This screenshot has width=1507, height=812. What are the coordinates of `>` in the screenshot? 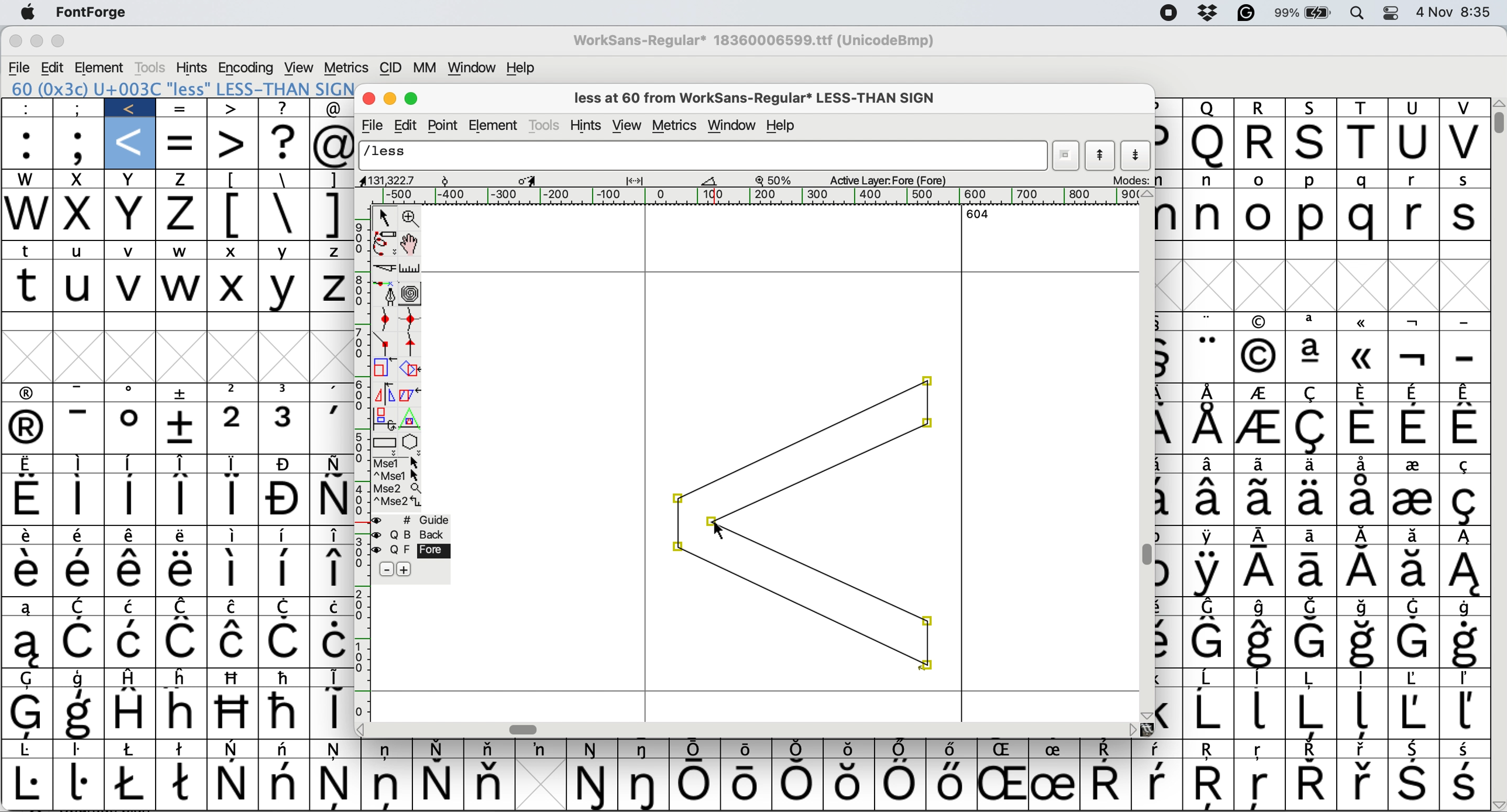 It's located at (233, 144).